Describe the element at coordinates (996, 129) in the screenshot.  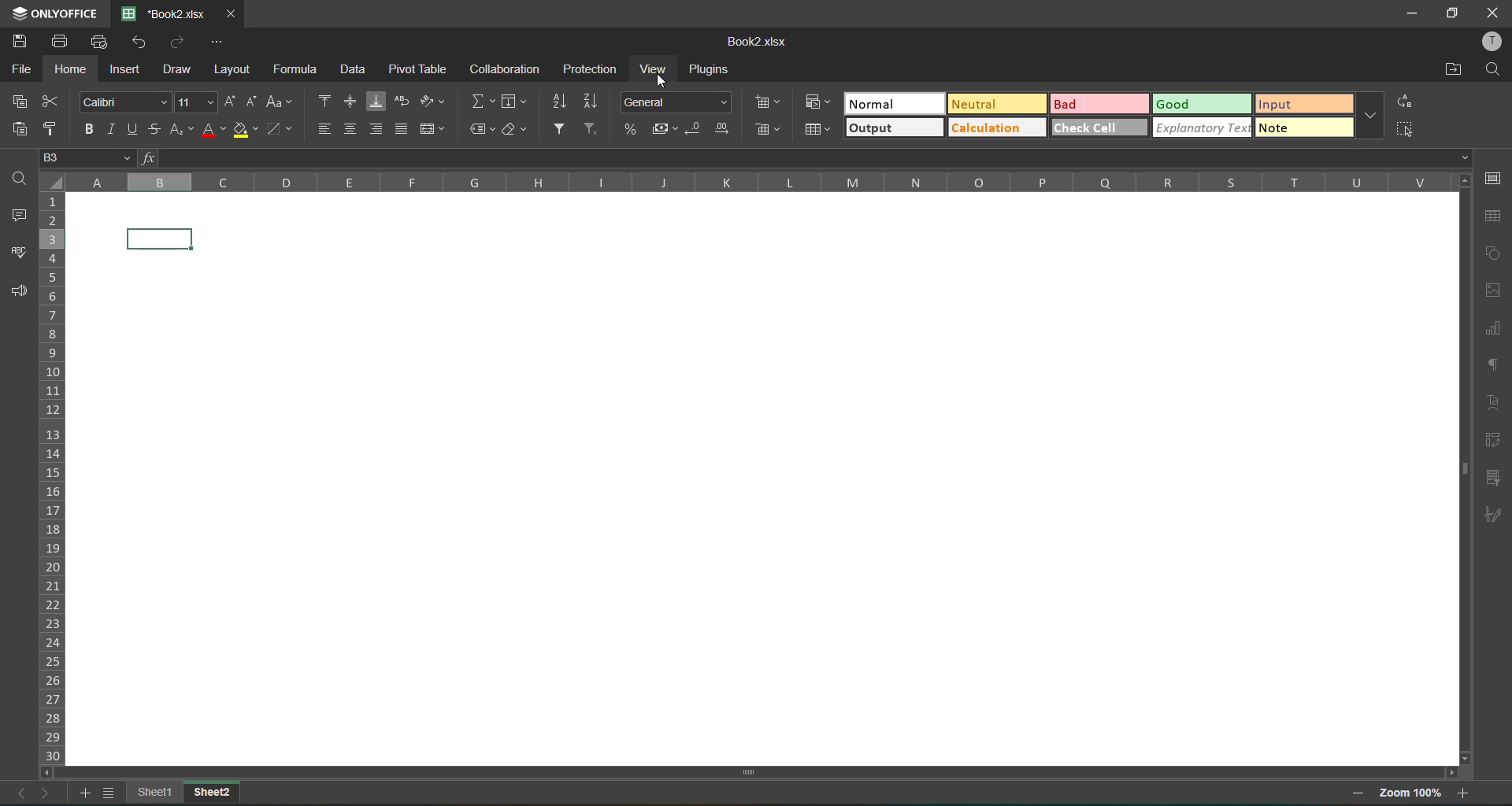
I see `calculation` at that location.